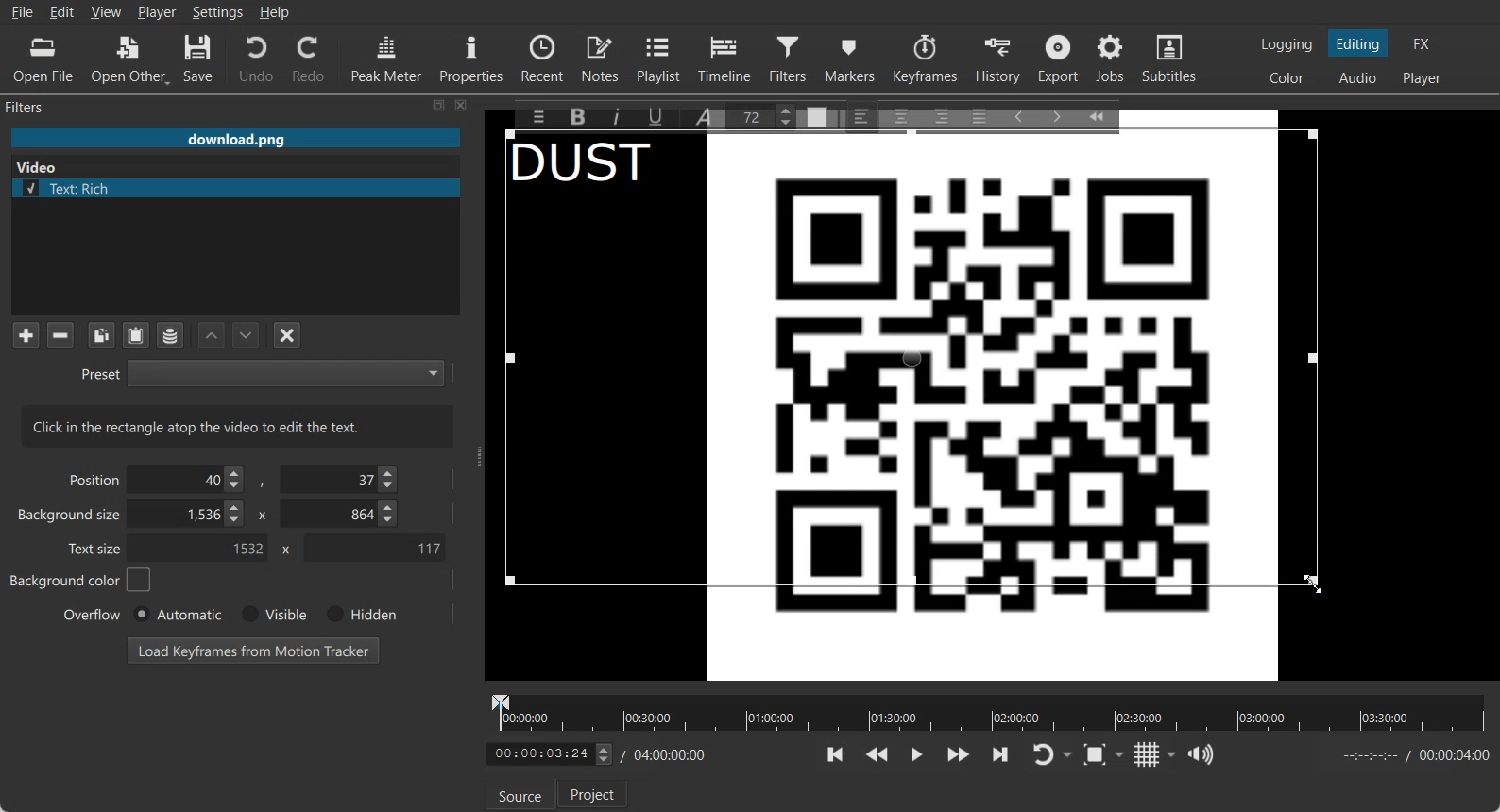  What do you see at coordinates (282, 550) in the screenshot?
I see `x` at bounding box center [282, 550].